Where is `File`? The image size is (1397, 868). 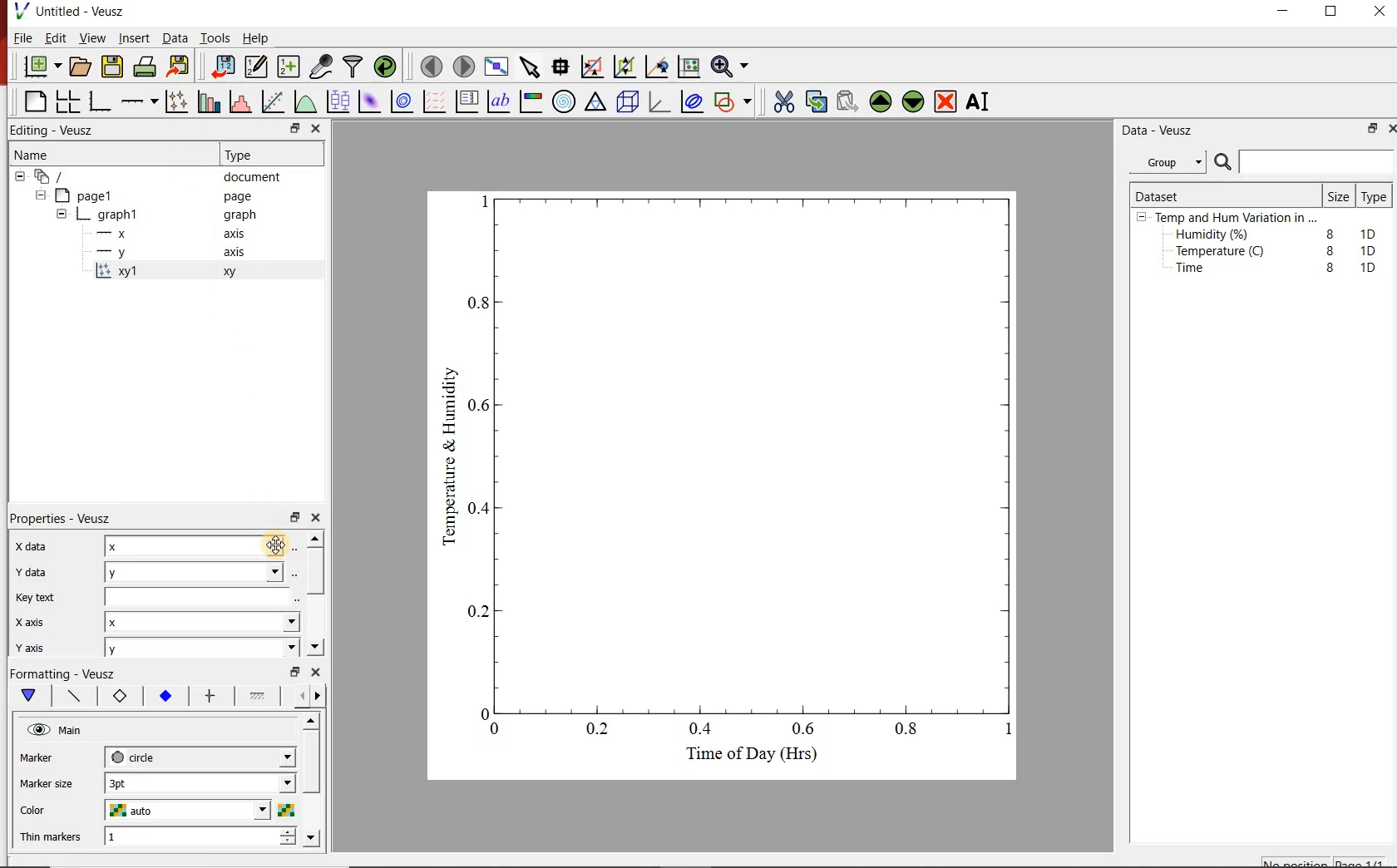 File is located at coordinates (19, 37).